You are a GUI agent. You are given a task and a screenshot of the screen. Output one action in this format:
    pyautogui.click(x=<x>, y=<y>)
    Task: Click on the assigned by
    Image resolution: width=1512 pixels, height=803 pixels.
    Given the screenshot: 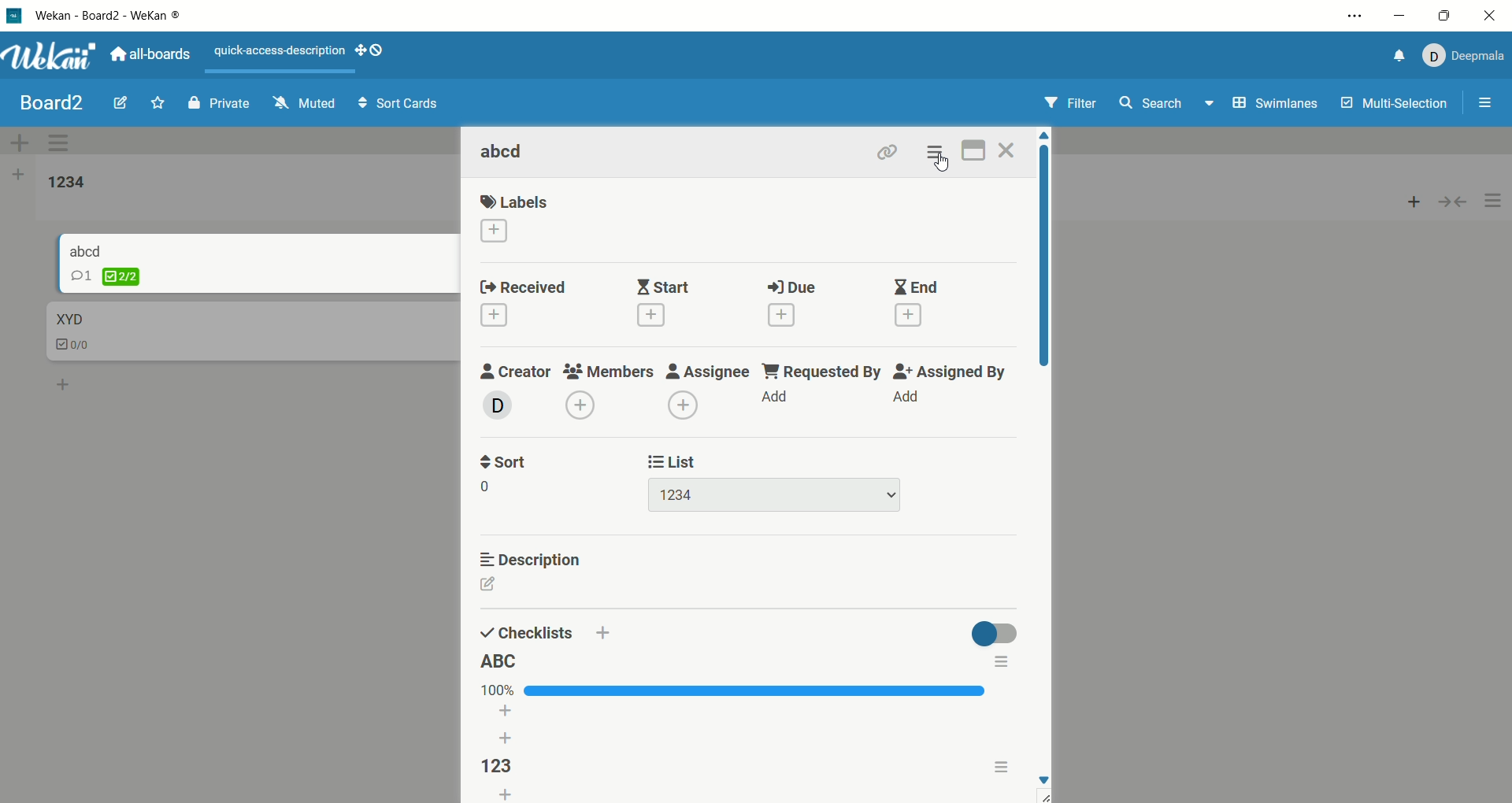 What is the action you would take?
    pyautogui.click(x=949, y=387)
    